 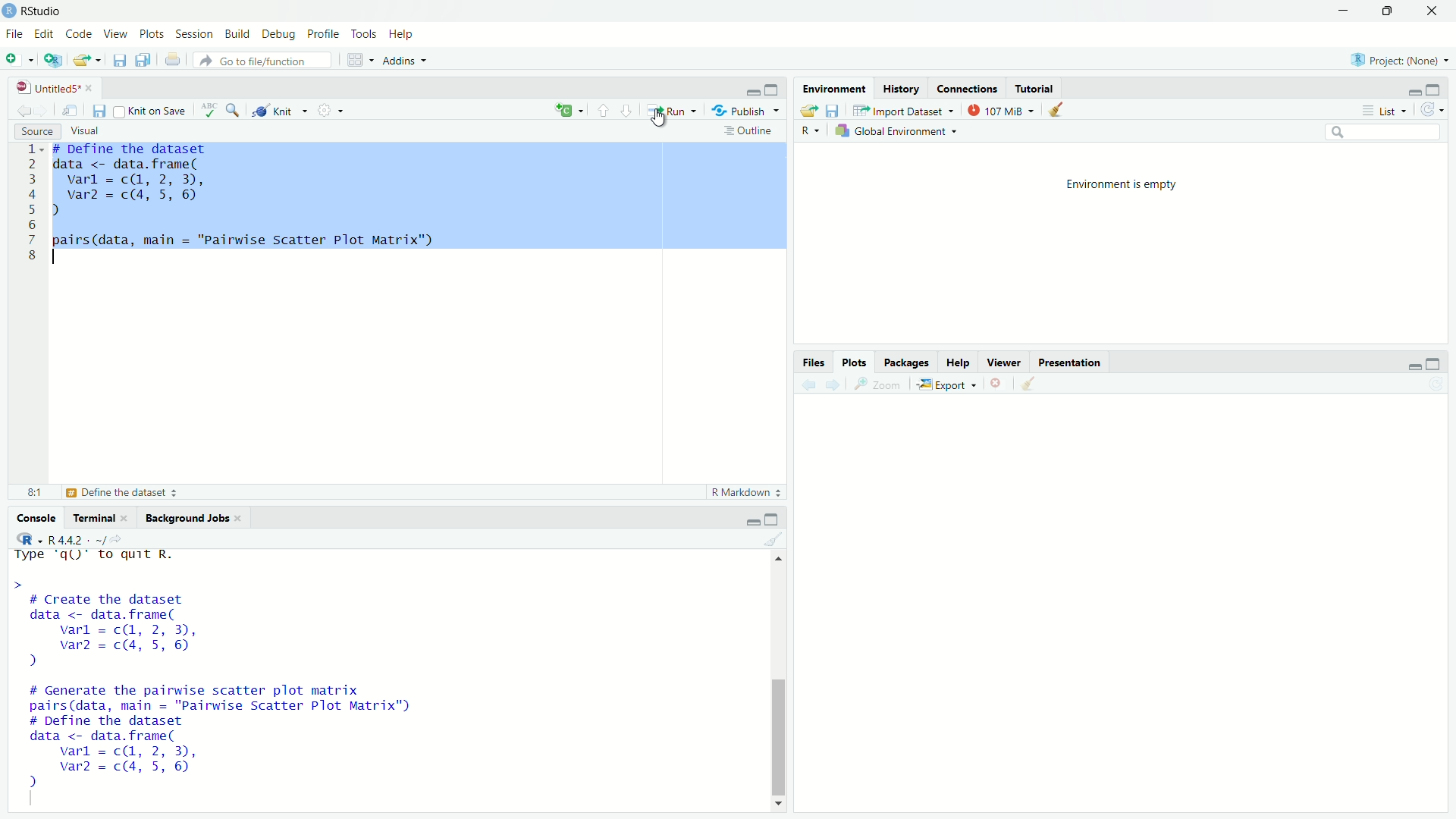 What do you see at coordinates (15, 34) in the screenshot?
I see `File` at bounding box center [15, 34].